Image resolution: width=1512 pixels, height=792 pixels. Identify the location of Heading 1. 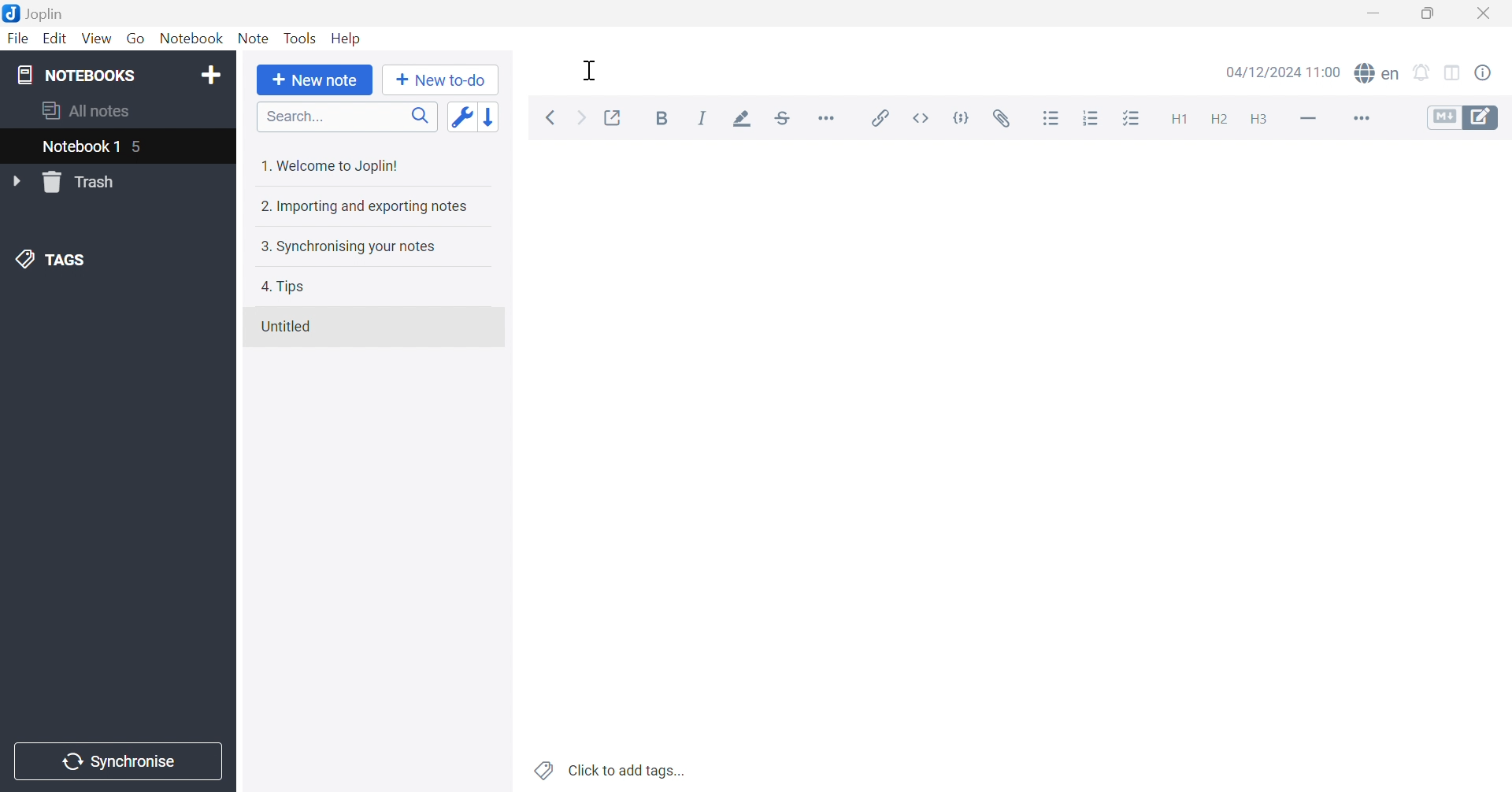
(1178, 120).